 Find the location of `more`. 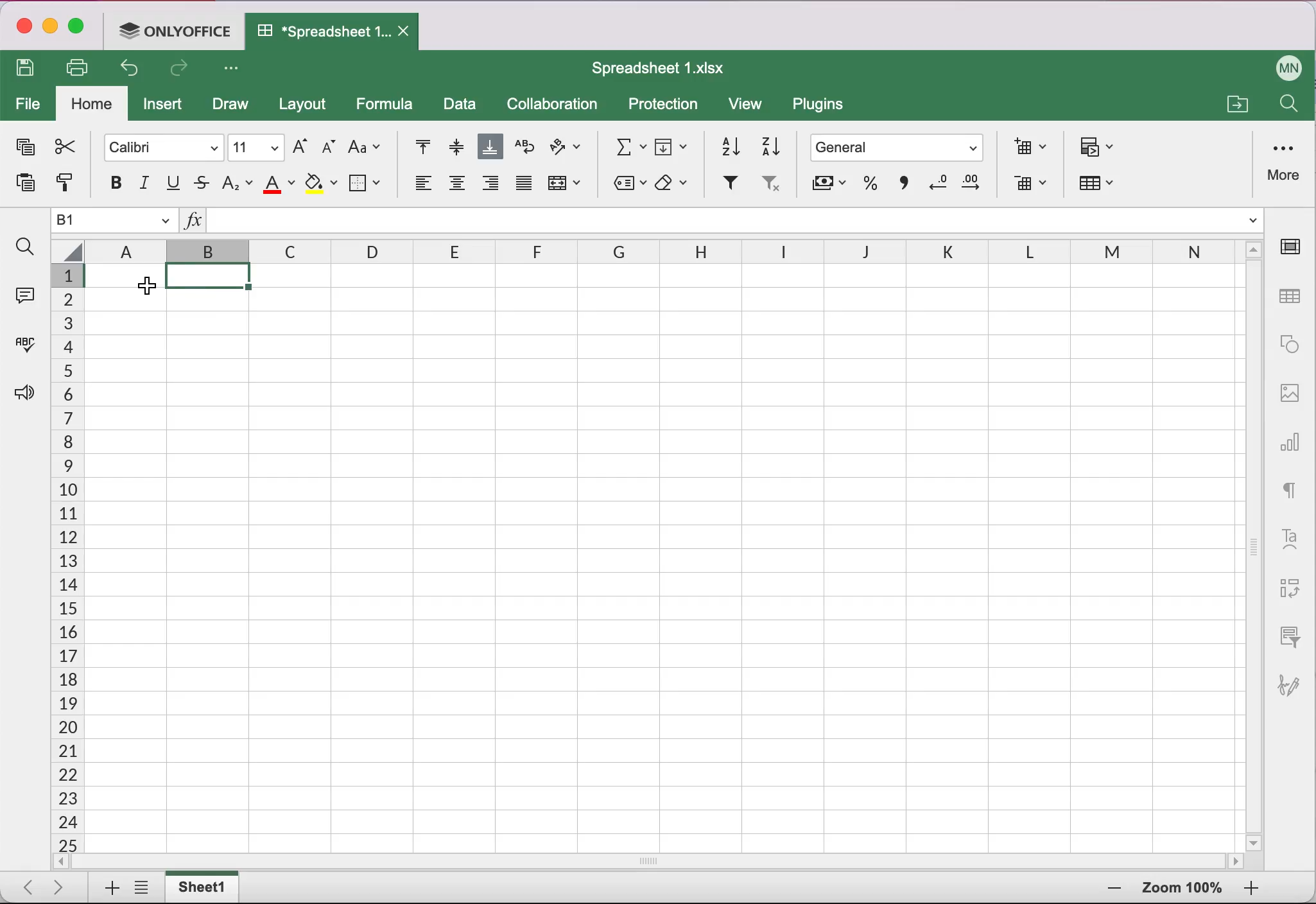

more is located at coordinates (1286, 161).